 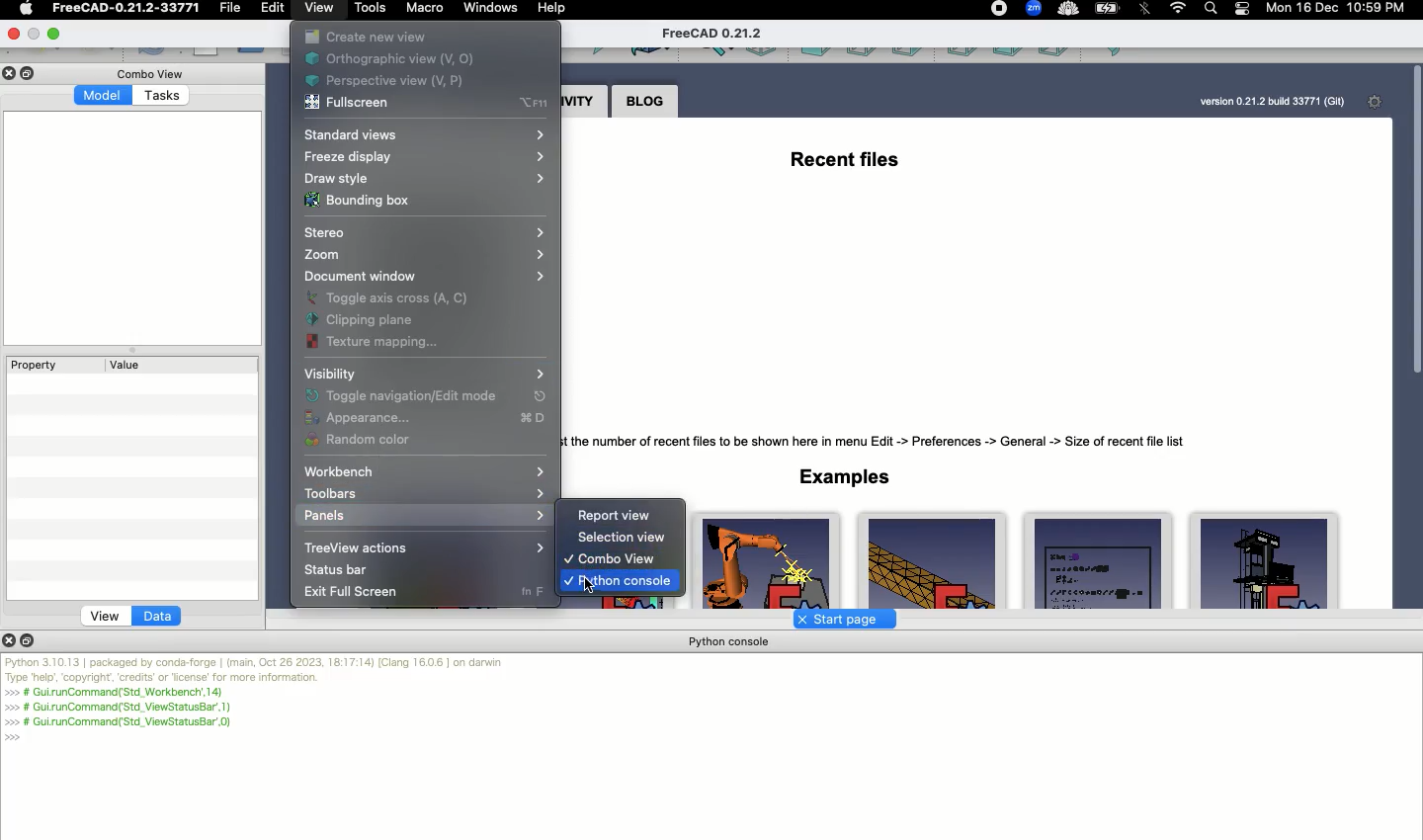 What do you see at coordinates (842, 155) in the screenshot?
I see `Recent files` at bounding box center [842, 155].